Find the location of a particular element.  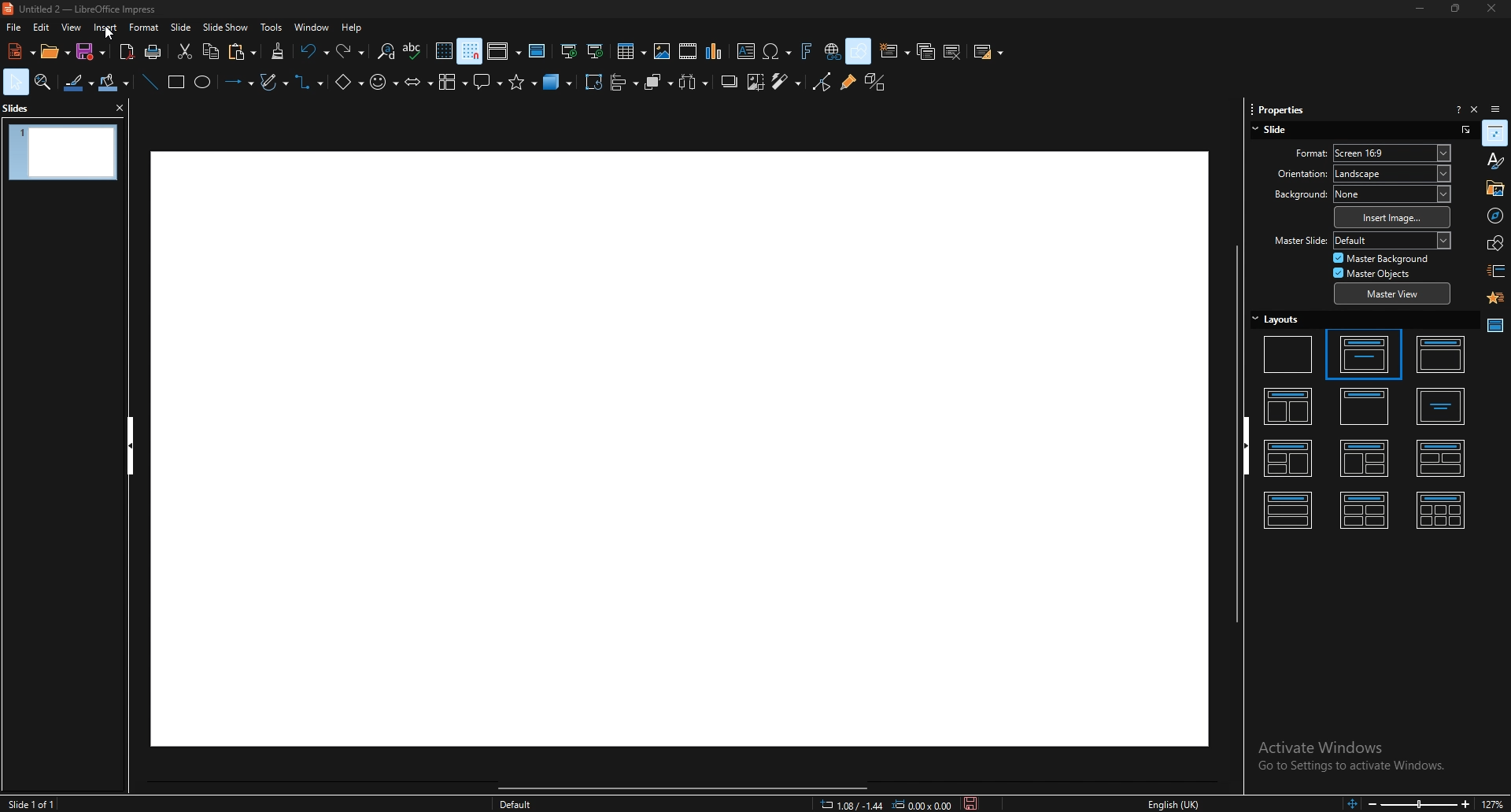

show draw functions is located at coordinates (858, 50).